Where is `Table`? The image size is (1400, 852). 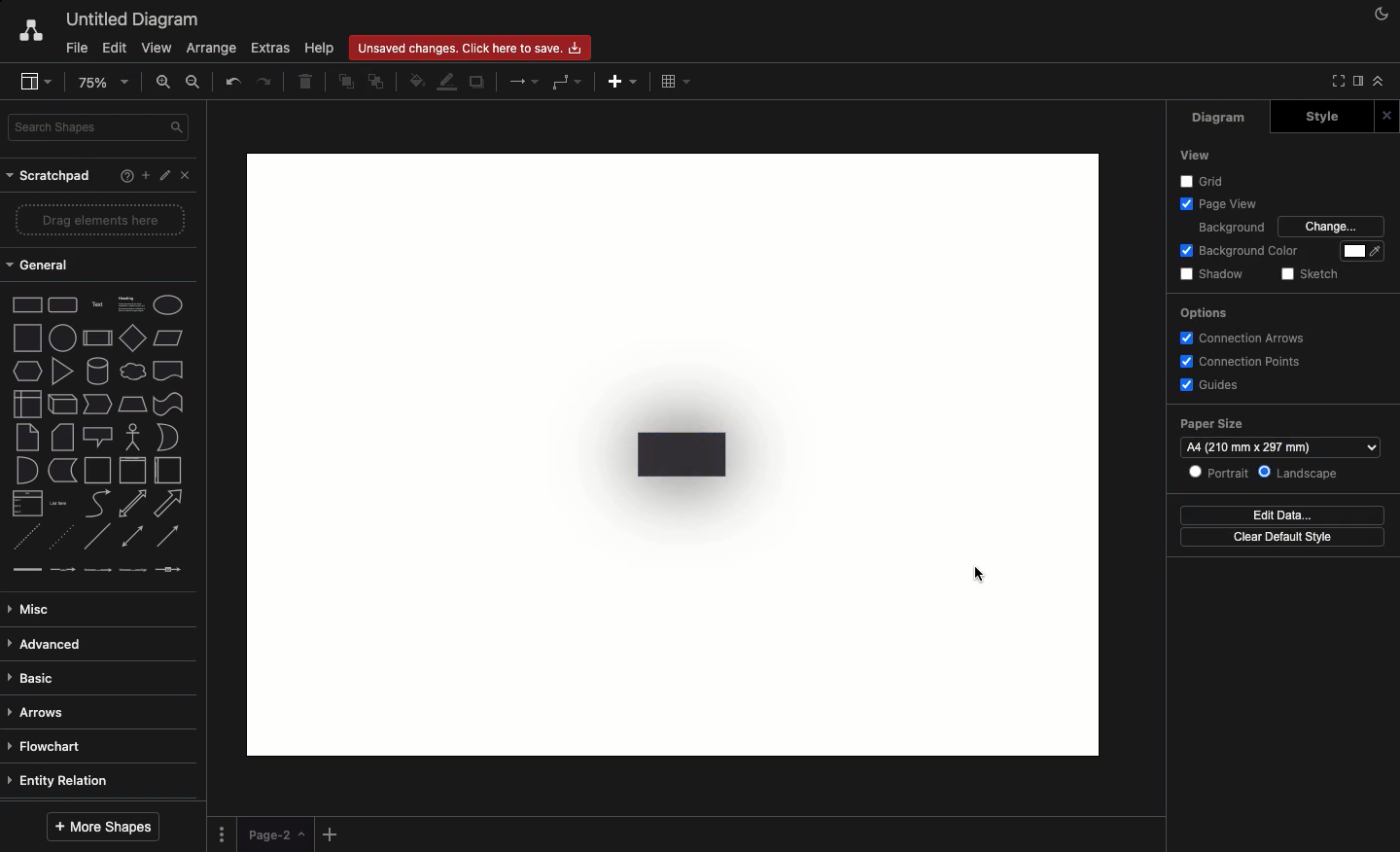
Table is located at coordinates (680, 83).